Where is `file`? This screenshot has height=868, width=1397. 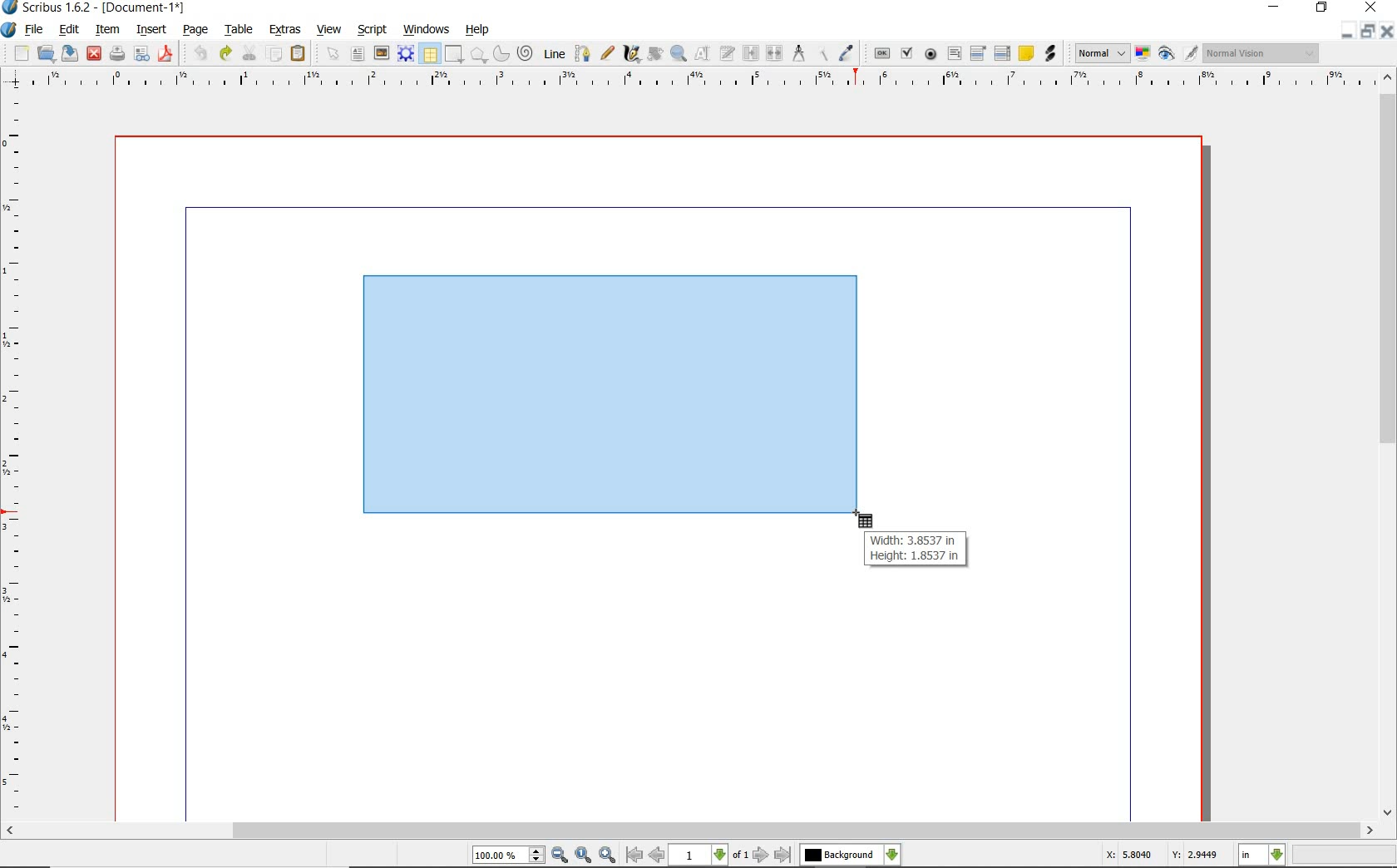
file is located at coordinates (35, 31).